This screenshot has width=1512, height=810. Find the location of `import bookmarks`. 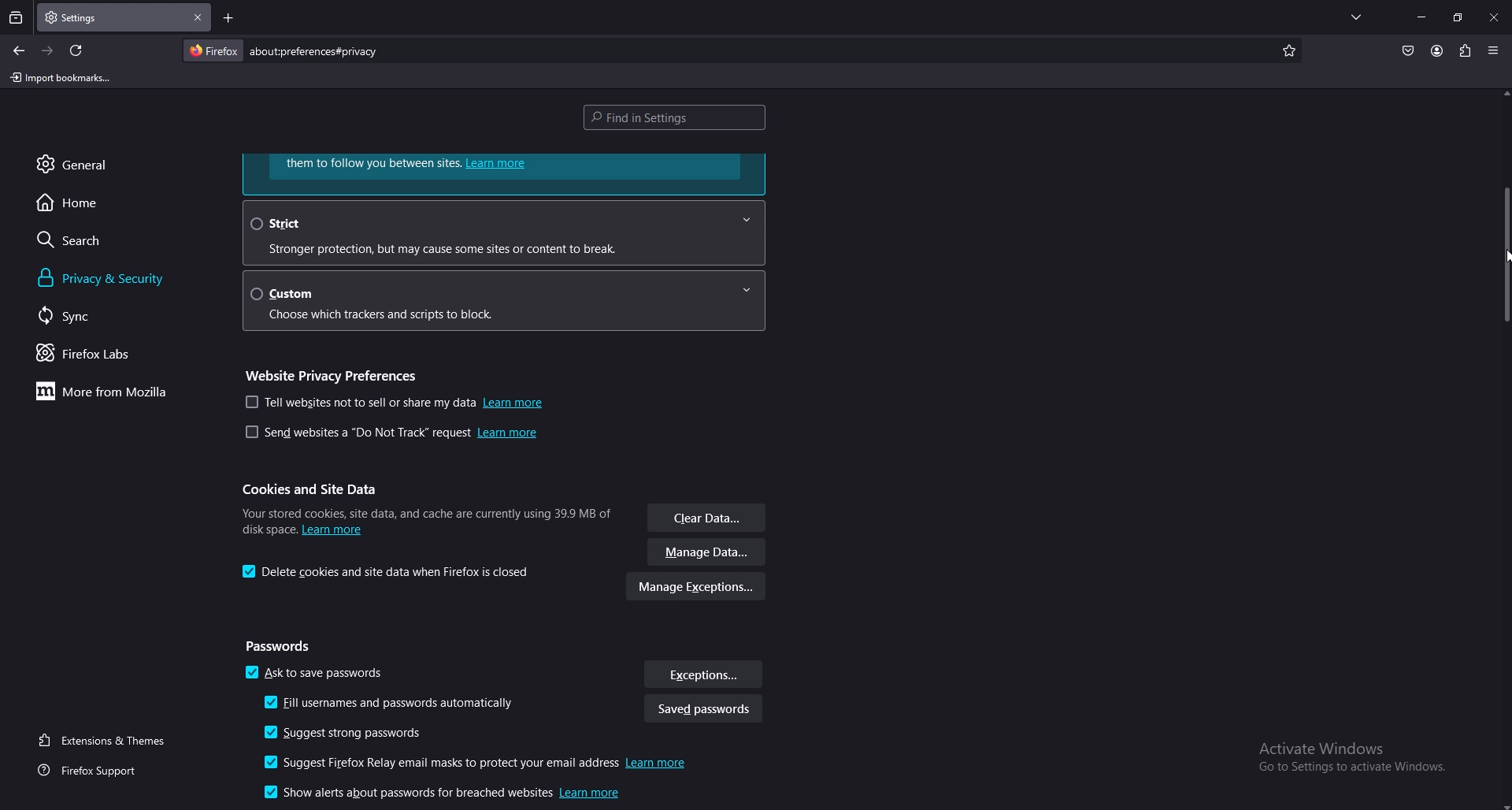

import bookmarks is located at coordinates (61, 79).